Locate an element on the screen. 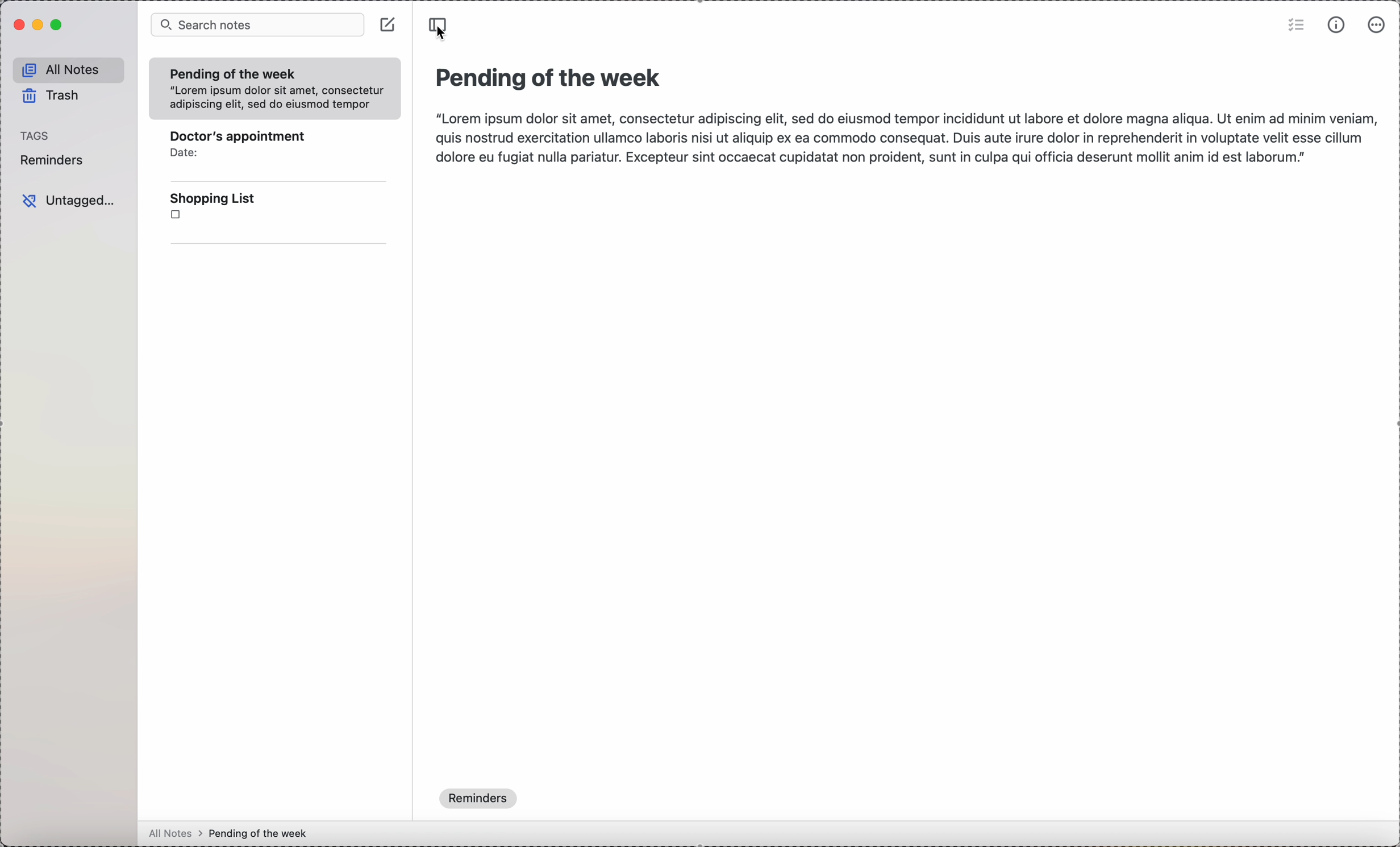 This screenshot has height=847, width=1400. reminders is located at coordinates (478, 799).